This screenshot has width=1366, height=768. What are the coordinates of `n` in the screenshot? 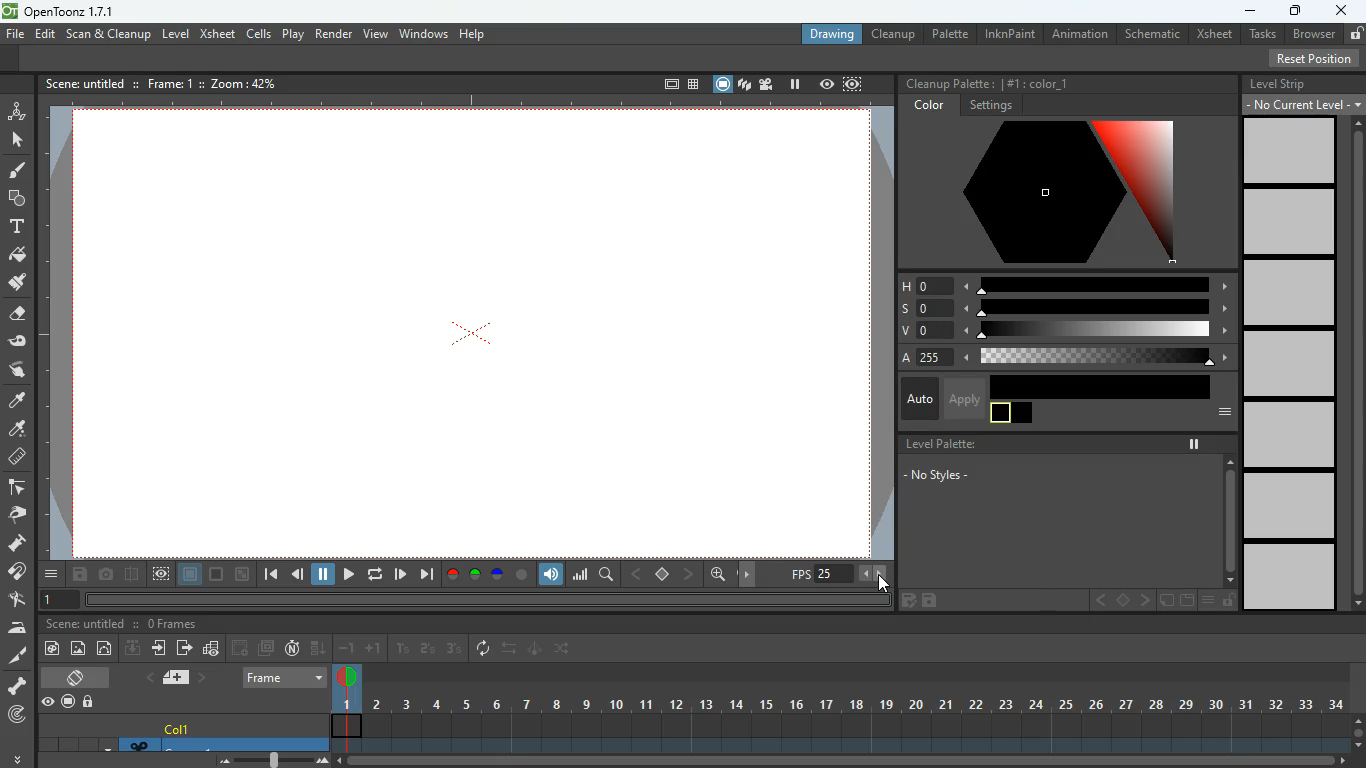 It's located at (294, 647).